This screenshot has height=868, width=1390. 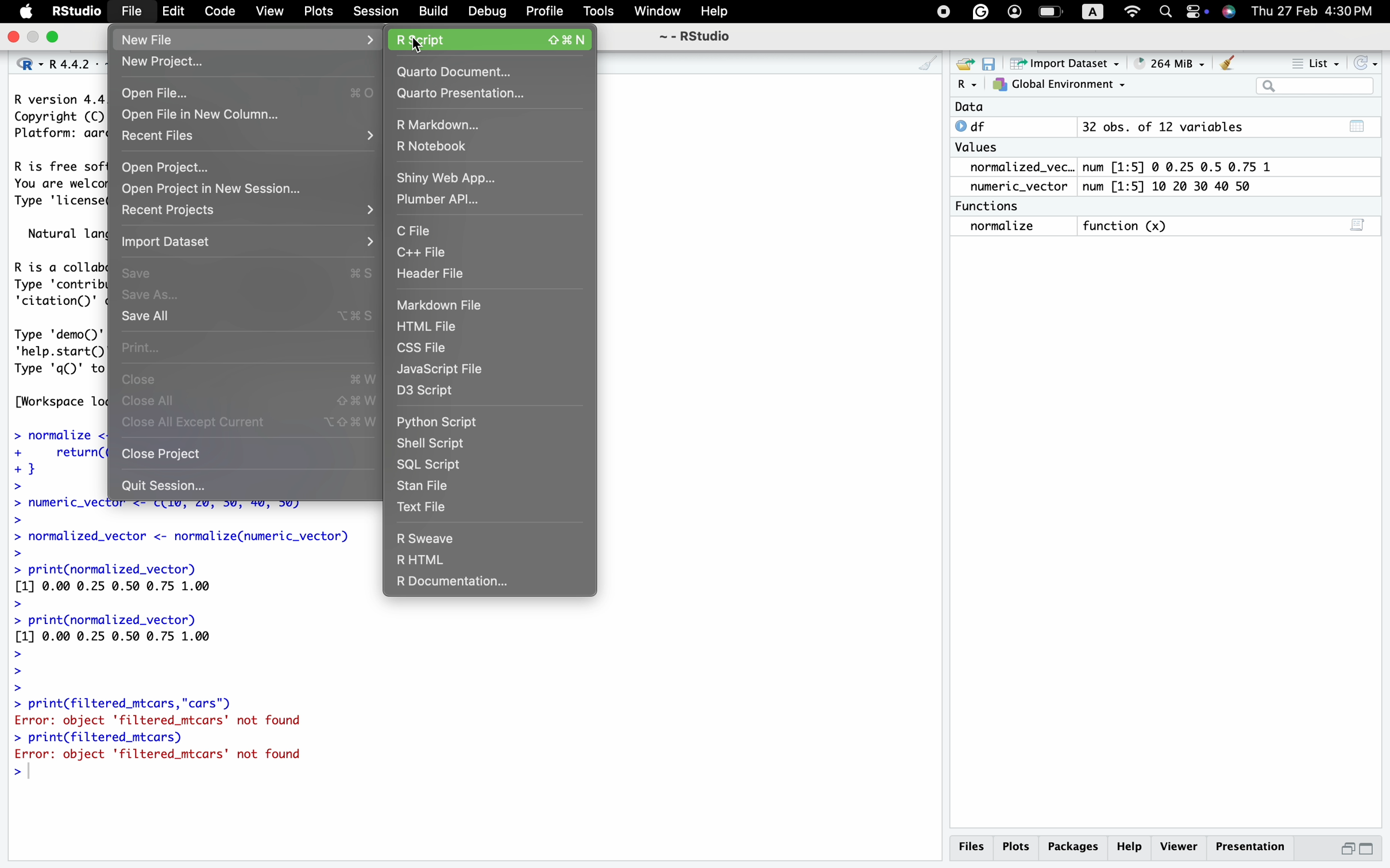 I want to click on toggle, so click(x=1198, y=11).